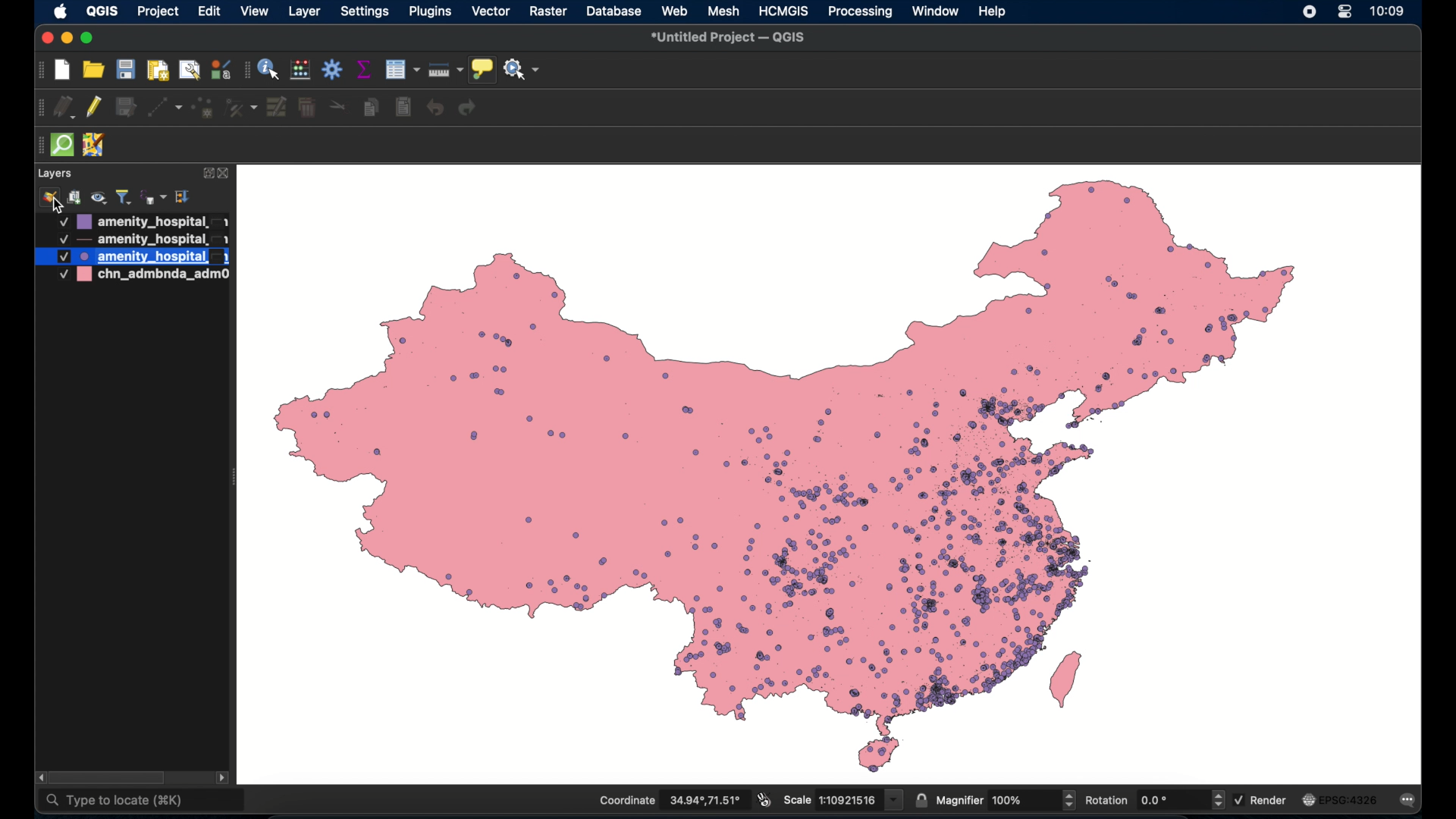 This screenshot has width=1456, height=819. What do you see at coordinates (1005, 800) in the screenshot?
I see `magnifier` at bounding box center [1005, 800].